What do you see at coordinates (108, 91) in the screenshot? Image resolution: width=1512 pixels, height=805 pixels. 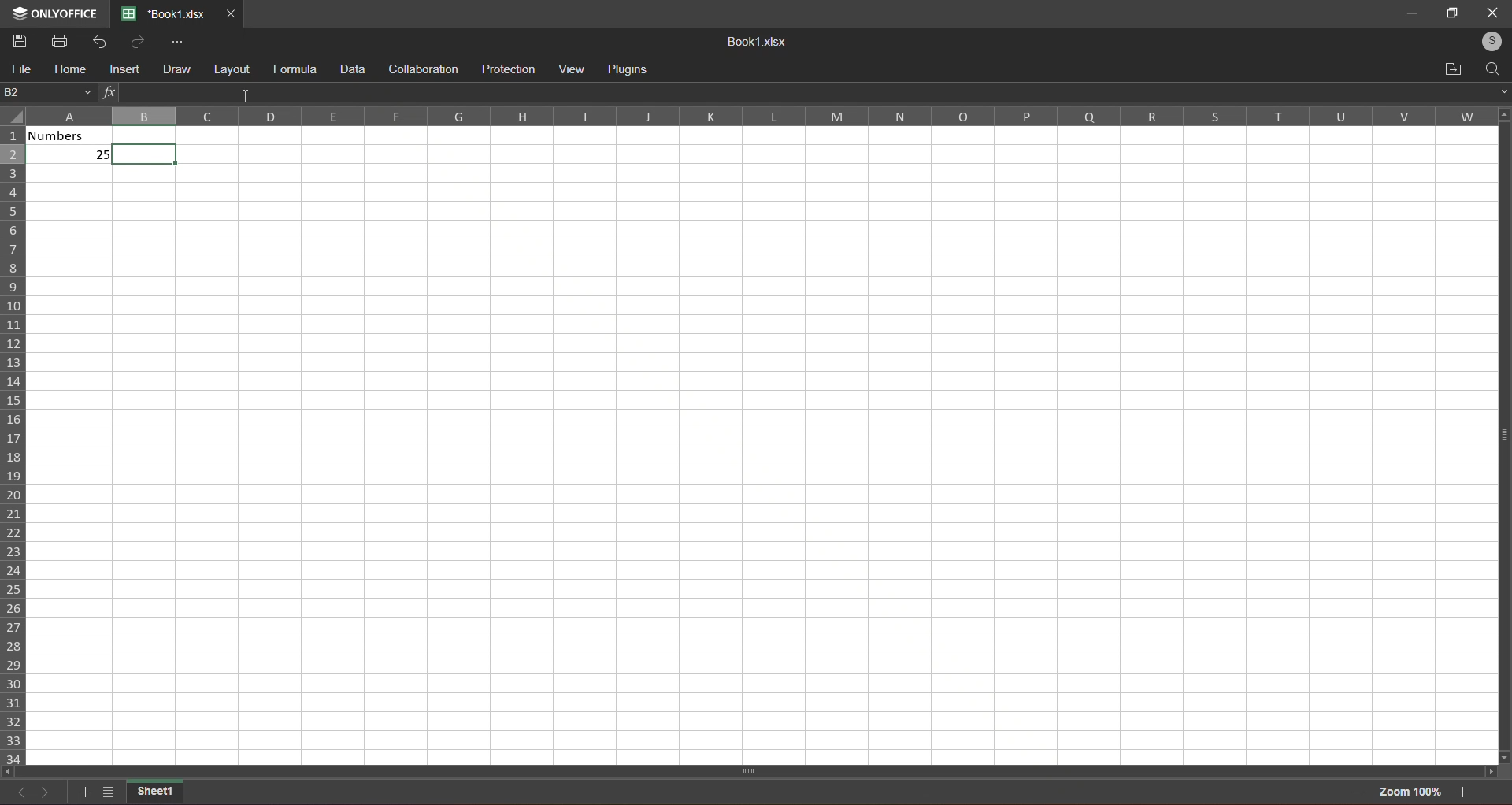 I see `functions` at bounding box center [108, 91].